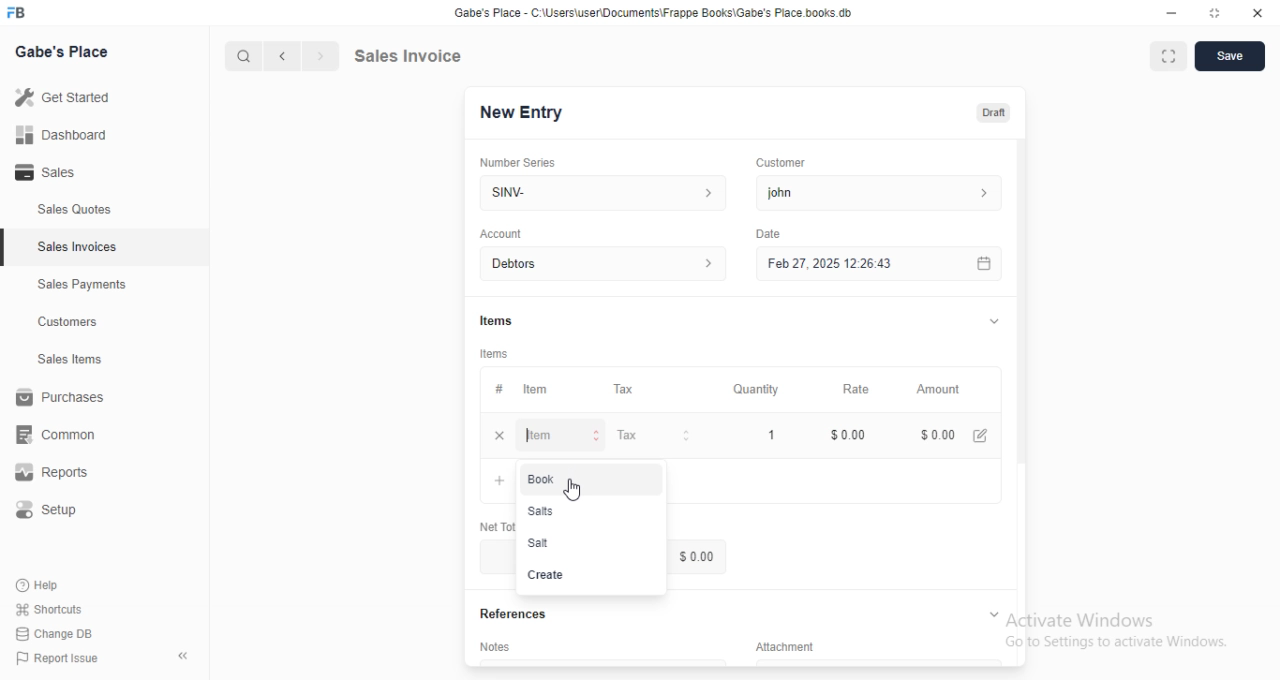 Image resolution: width=1280 pixels, height=680 pixels. I want to click on Rate, so click(861, 388).